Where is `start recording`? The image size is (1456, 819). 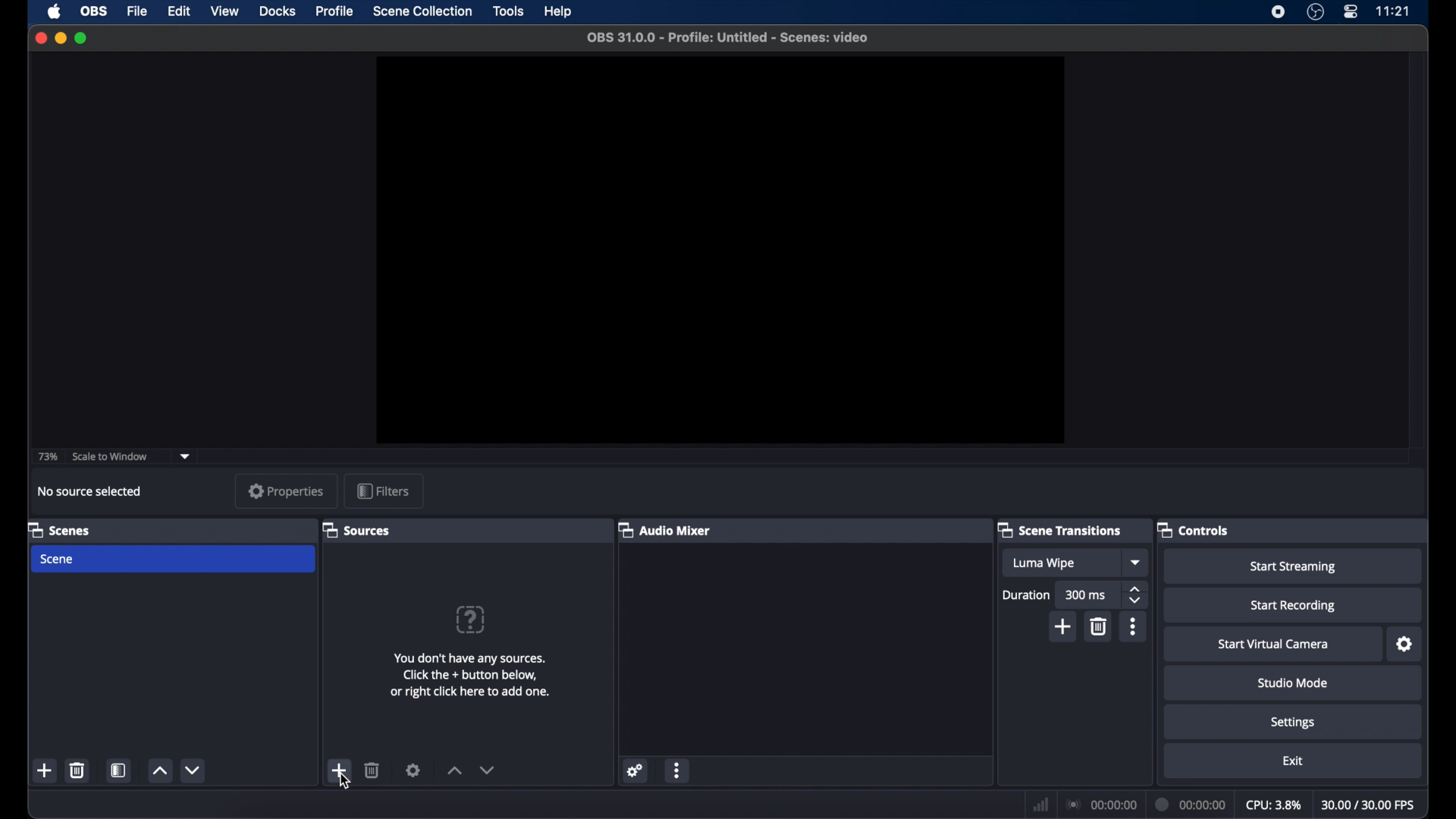
start recording is located at coordinates (1294, 606).